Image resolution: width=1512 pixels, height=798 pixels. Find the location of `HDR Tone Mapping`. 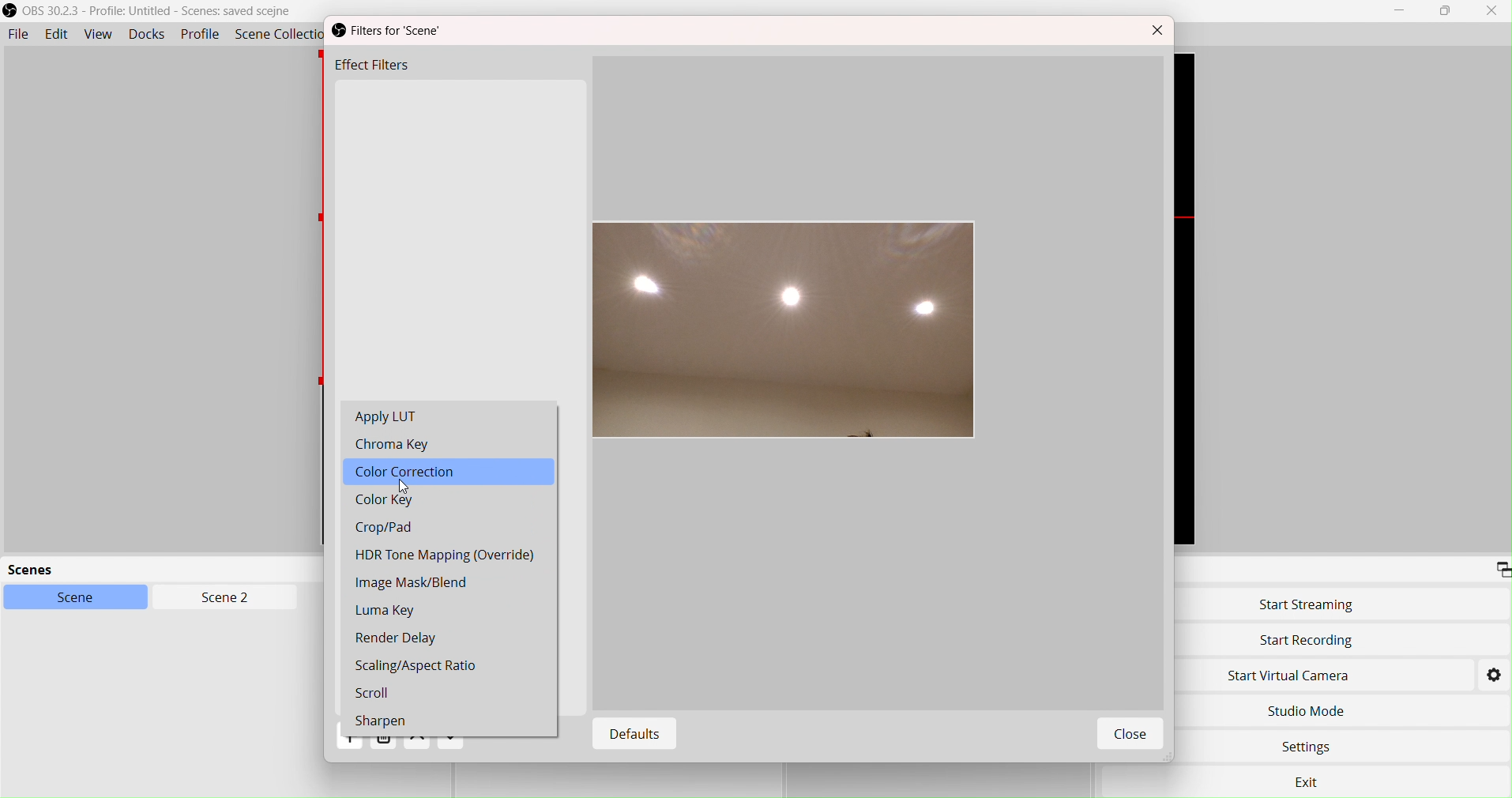

HDR Tone Mapping is located at coordinates (444, 556).